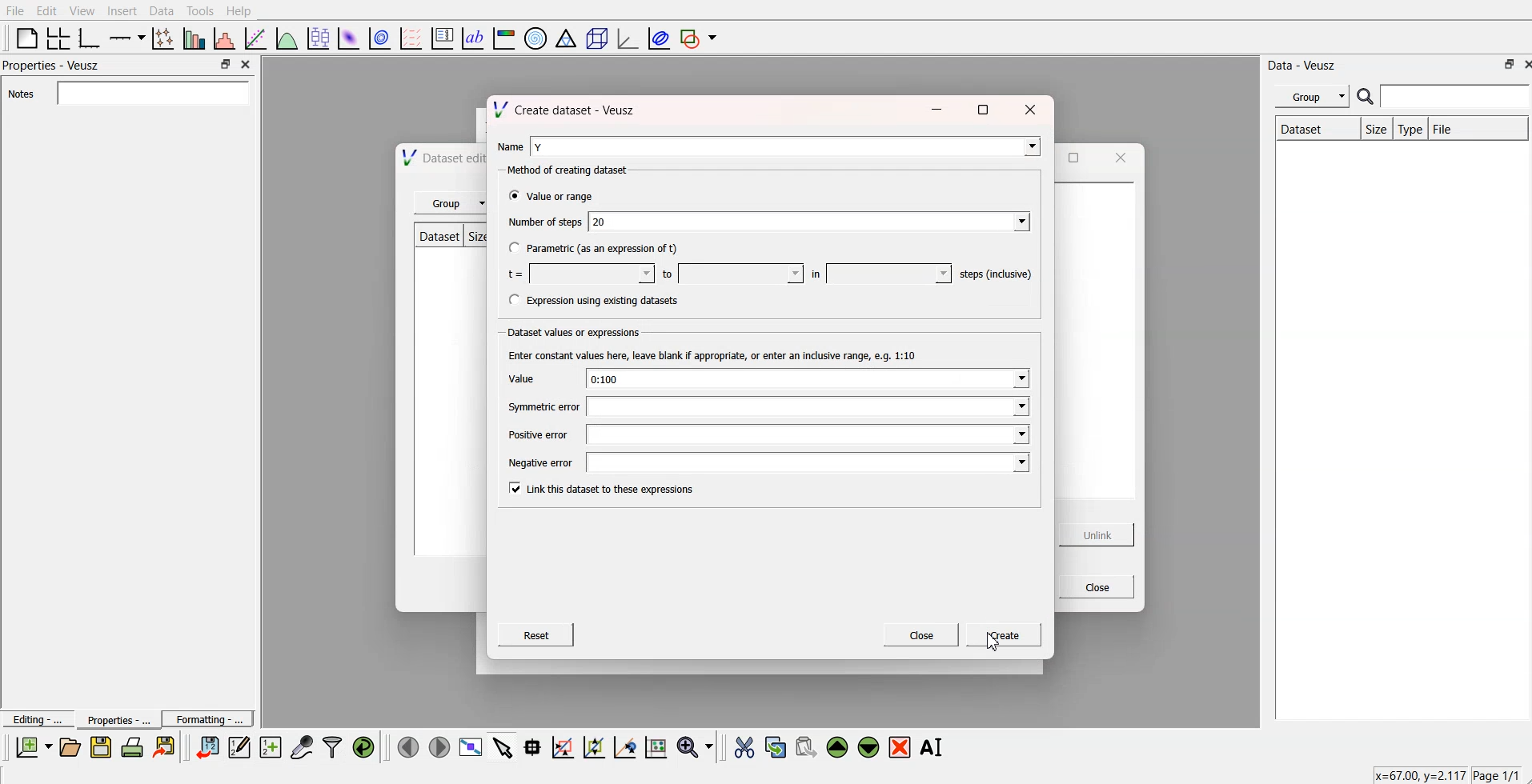 The width and height of the screenshot is (1532, 784). Describe the element at coordinates (366, 746) in the screenshot. I see `reload linked datasets` at that location.